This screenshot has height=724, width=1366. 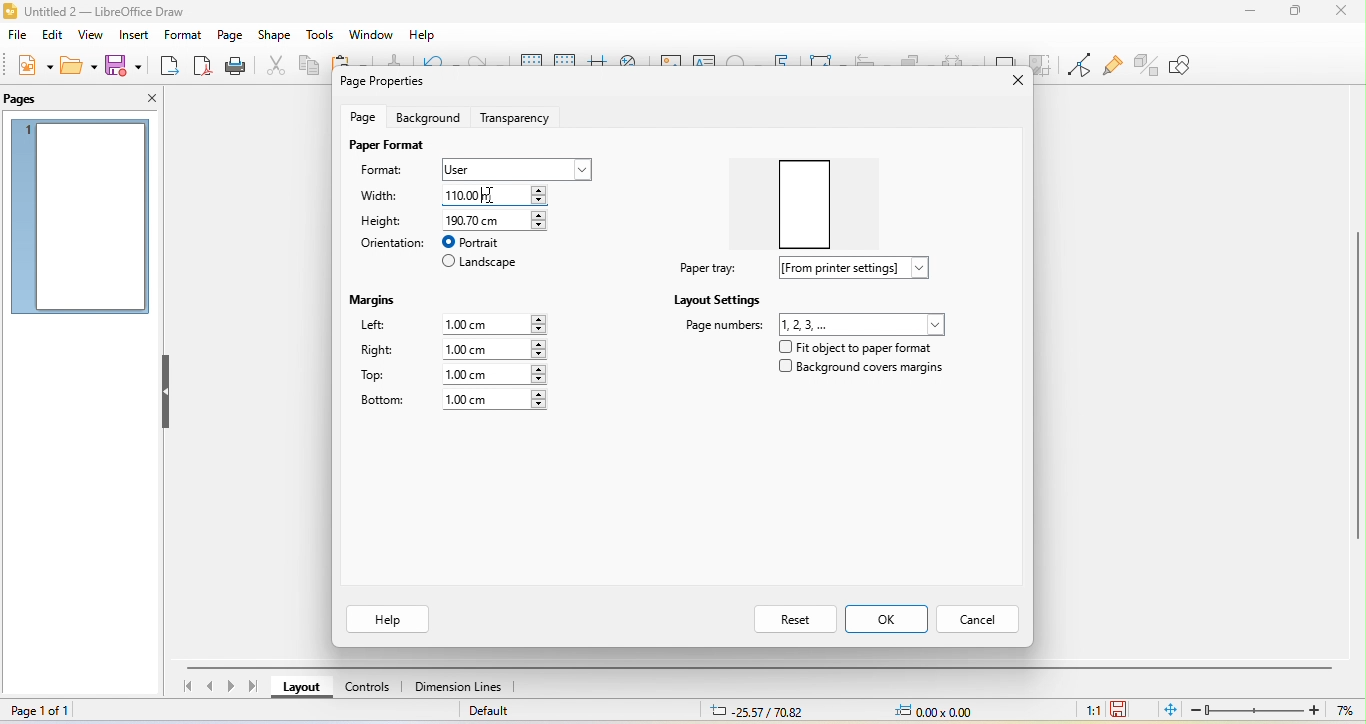 I want to click on margins, so click(x=377, y=297).